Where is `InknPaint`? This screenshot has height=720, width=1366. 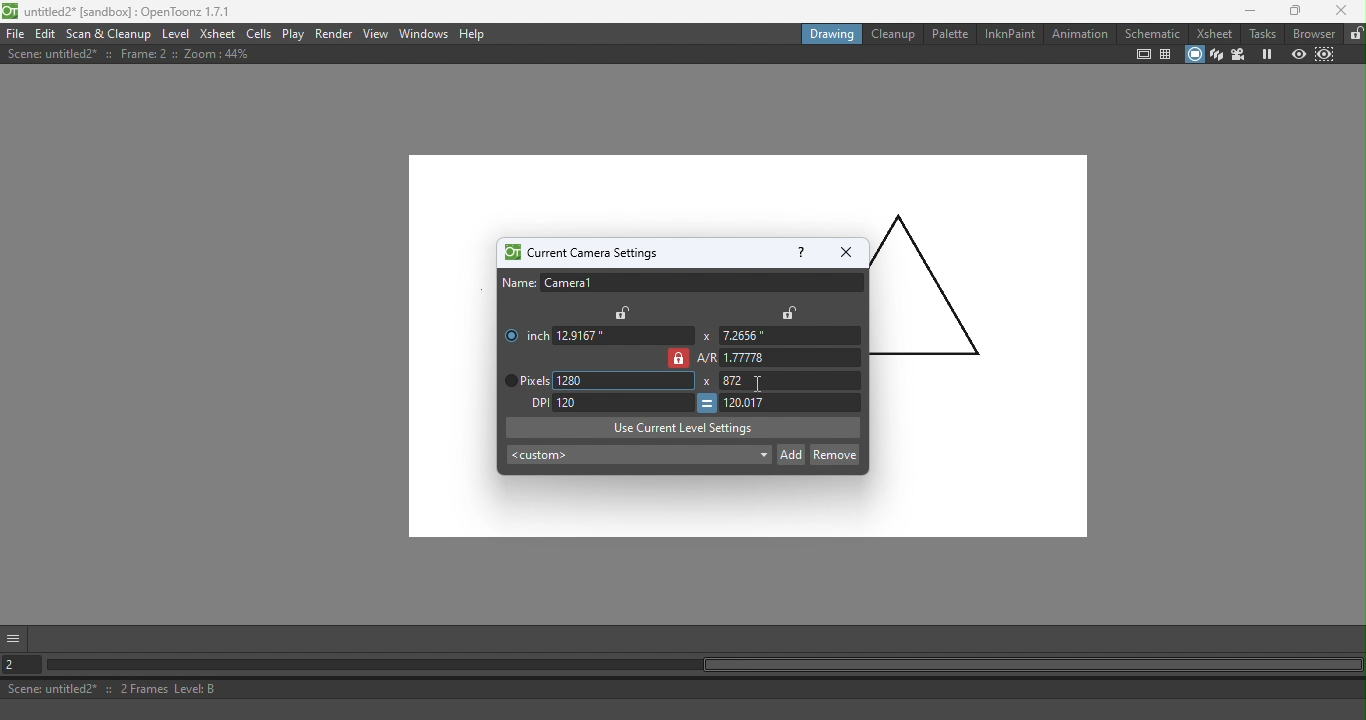 InknPaint is located at coordinates (1011, 34).